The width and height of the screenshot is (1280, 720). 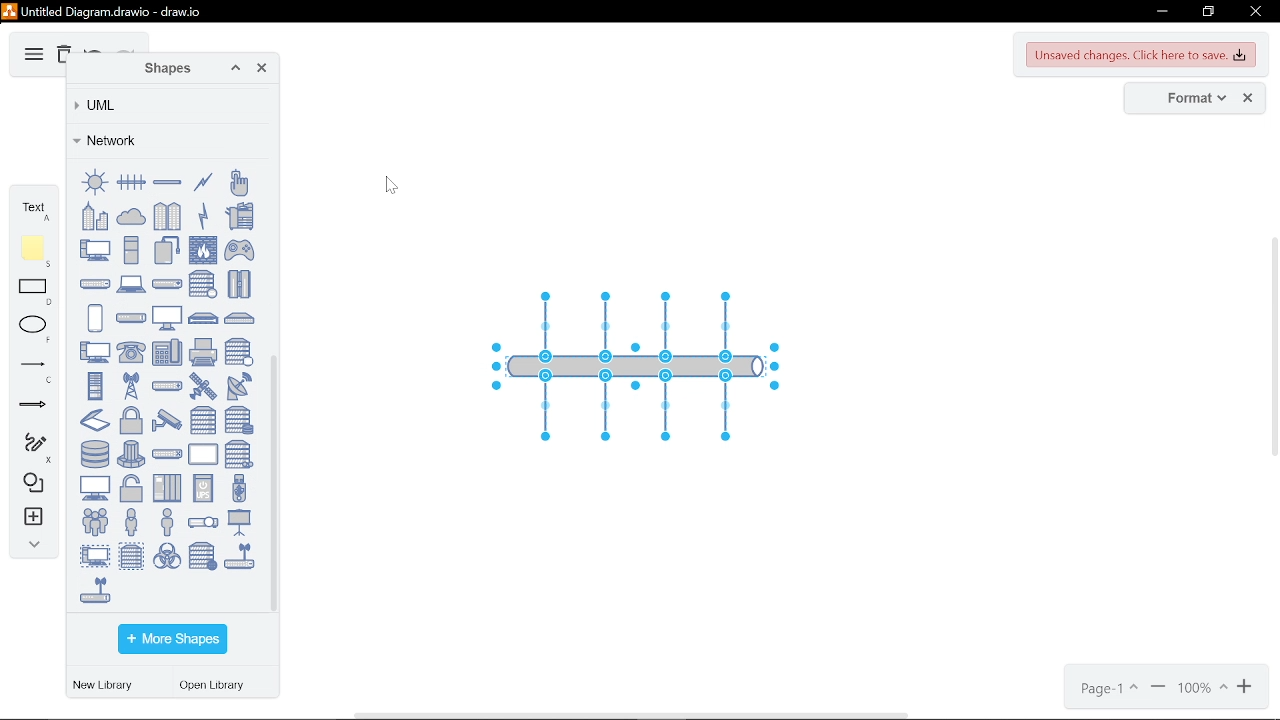 What do you see at coordinates (30, 448) in the screenshot?
I see `freehand` at bounding box center [30, 448].